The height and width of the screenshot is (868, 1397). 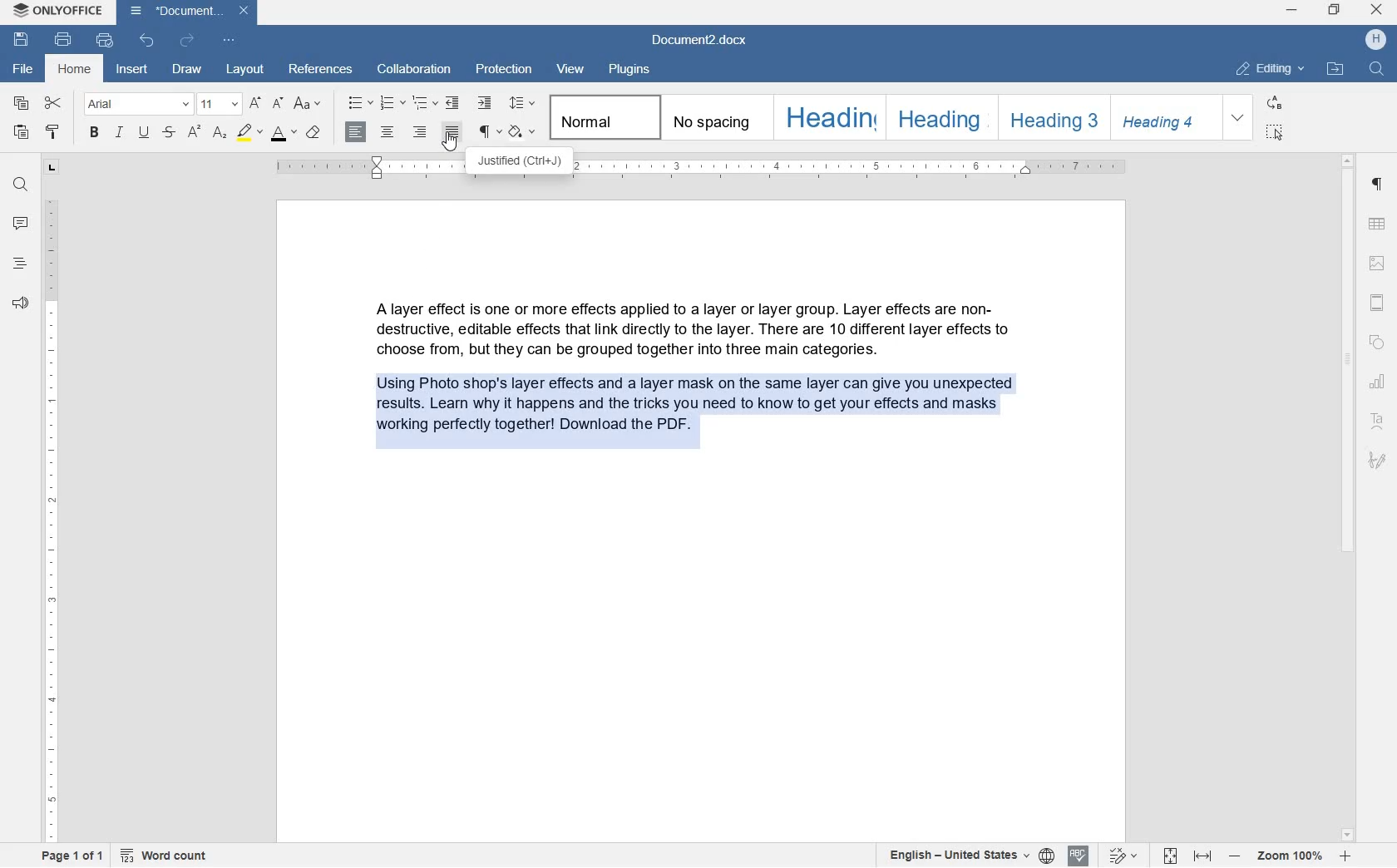 What do you see at coordinates (1377, 262) in the screenshot?
I see `HEADERS & FOOTERS` at bounding box center [1377, 262].